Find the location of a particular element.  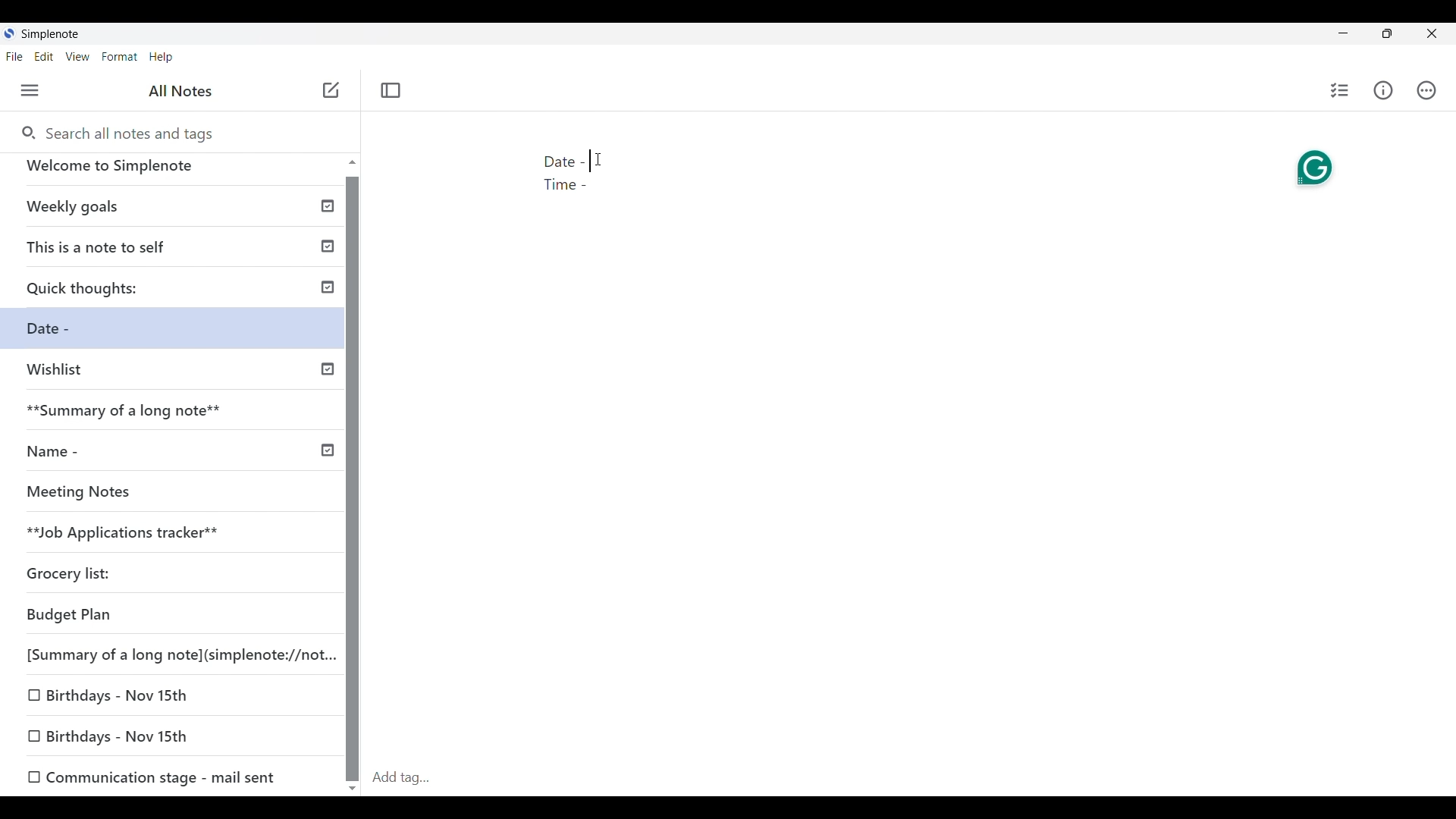

Info is located at coordinates (1383, 90).